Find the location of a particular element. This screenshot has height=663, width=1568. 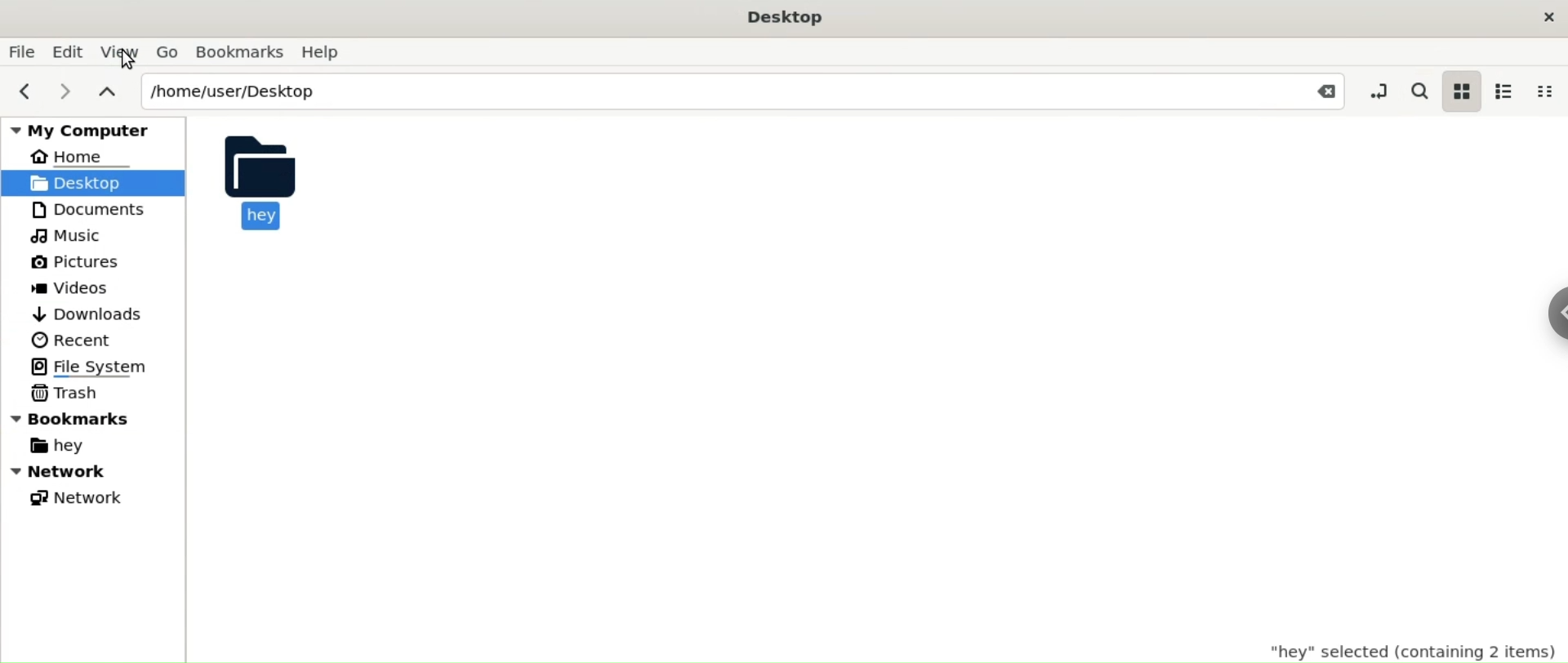

Bookmarks is located at coordinates (241, 51).